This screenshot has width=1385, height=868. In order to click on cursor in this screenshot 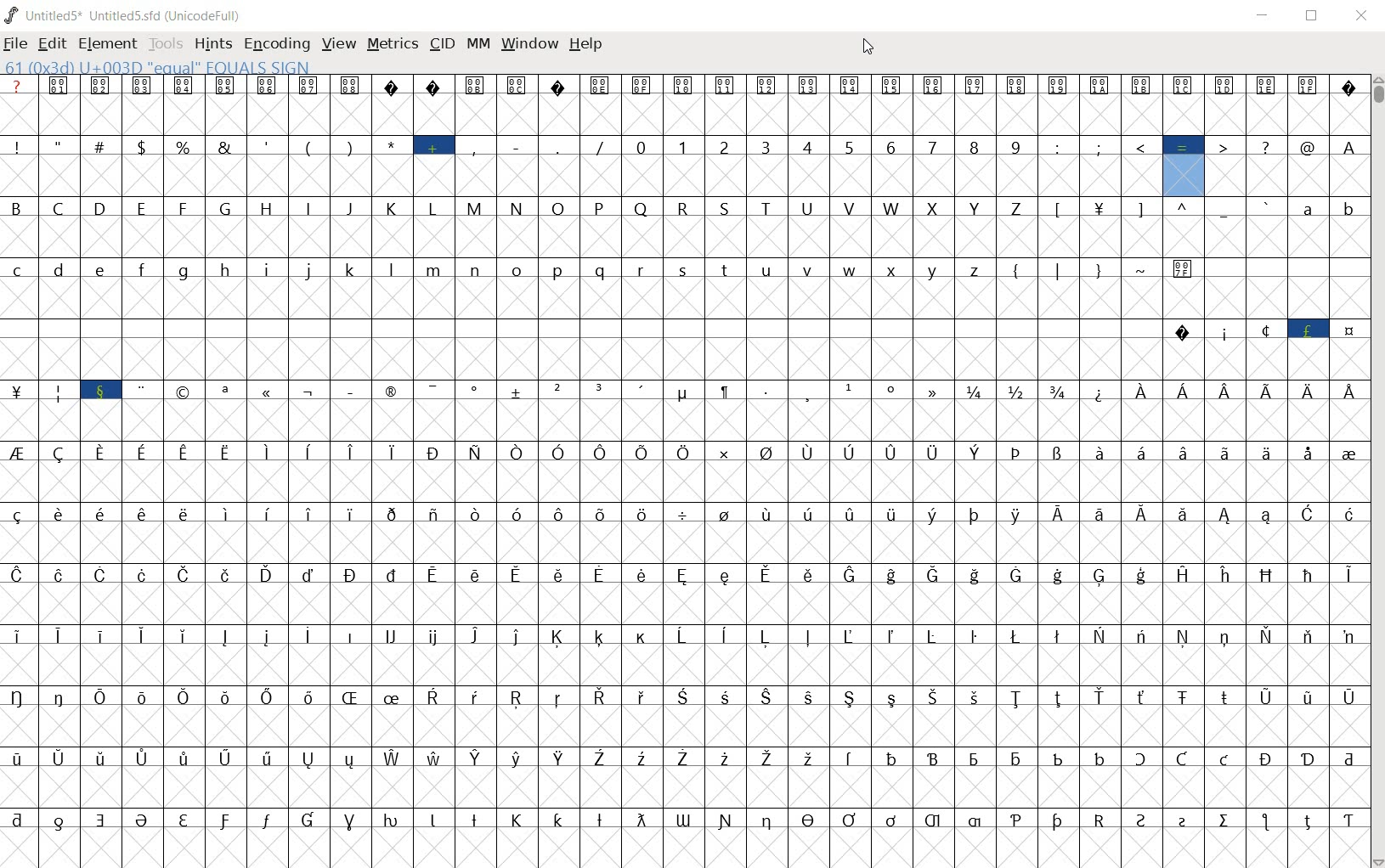, I will do `click(869, 47)`.